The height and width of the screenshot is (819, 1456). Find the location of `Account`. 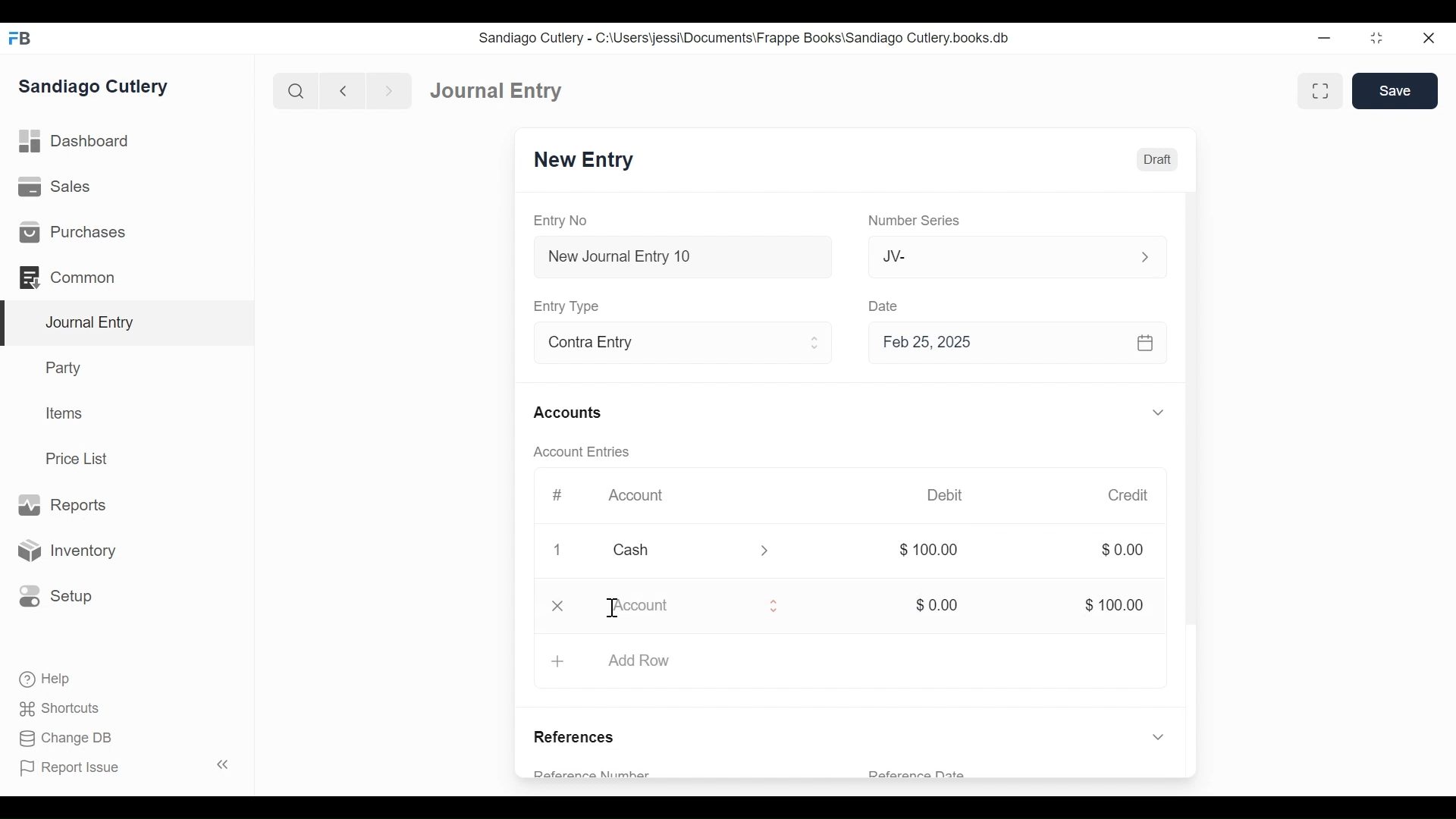

Account is located at coordinates (676, 608).